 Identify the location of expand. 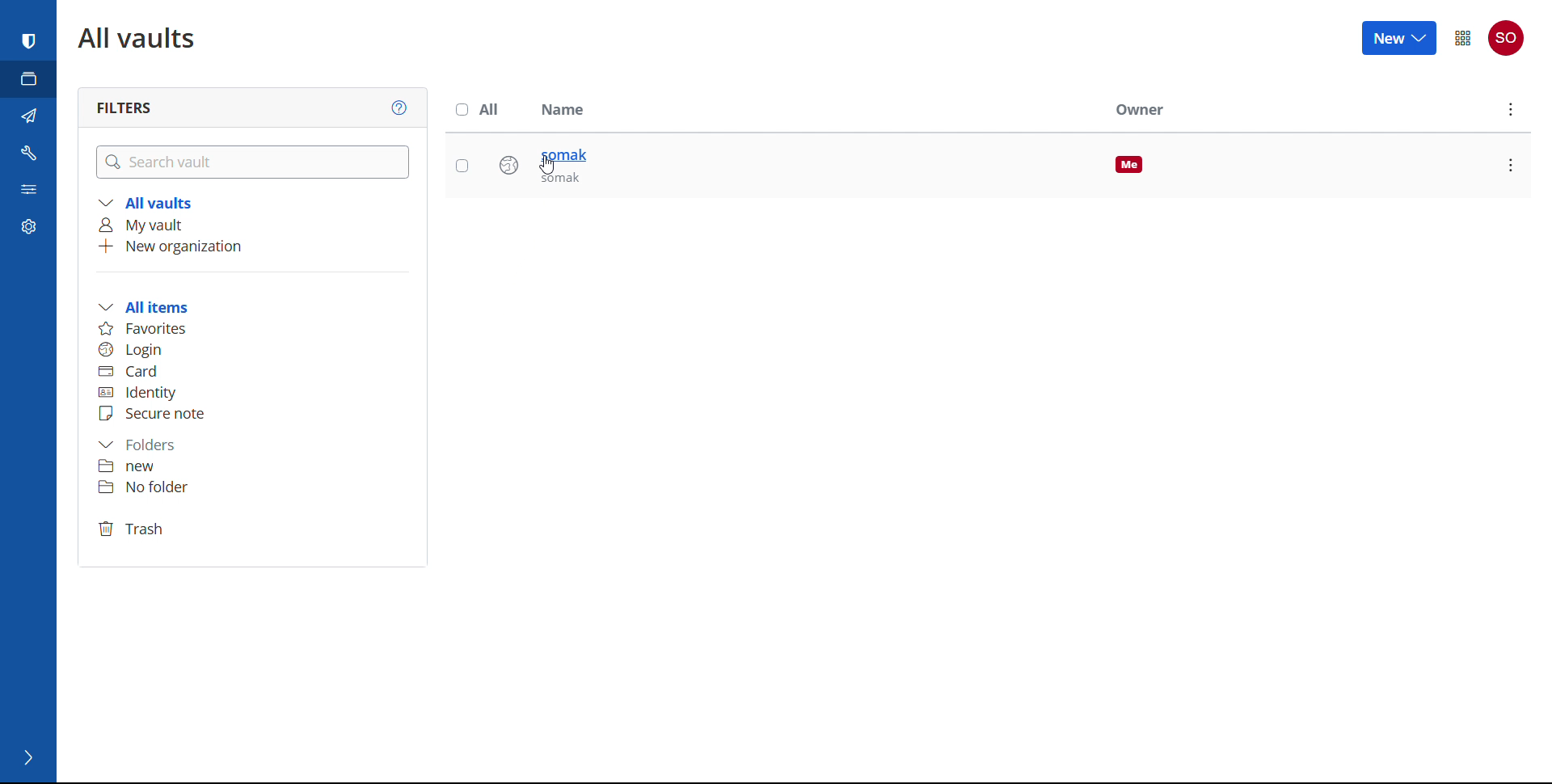
(29, 758).